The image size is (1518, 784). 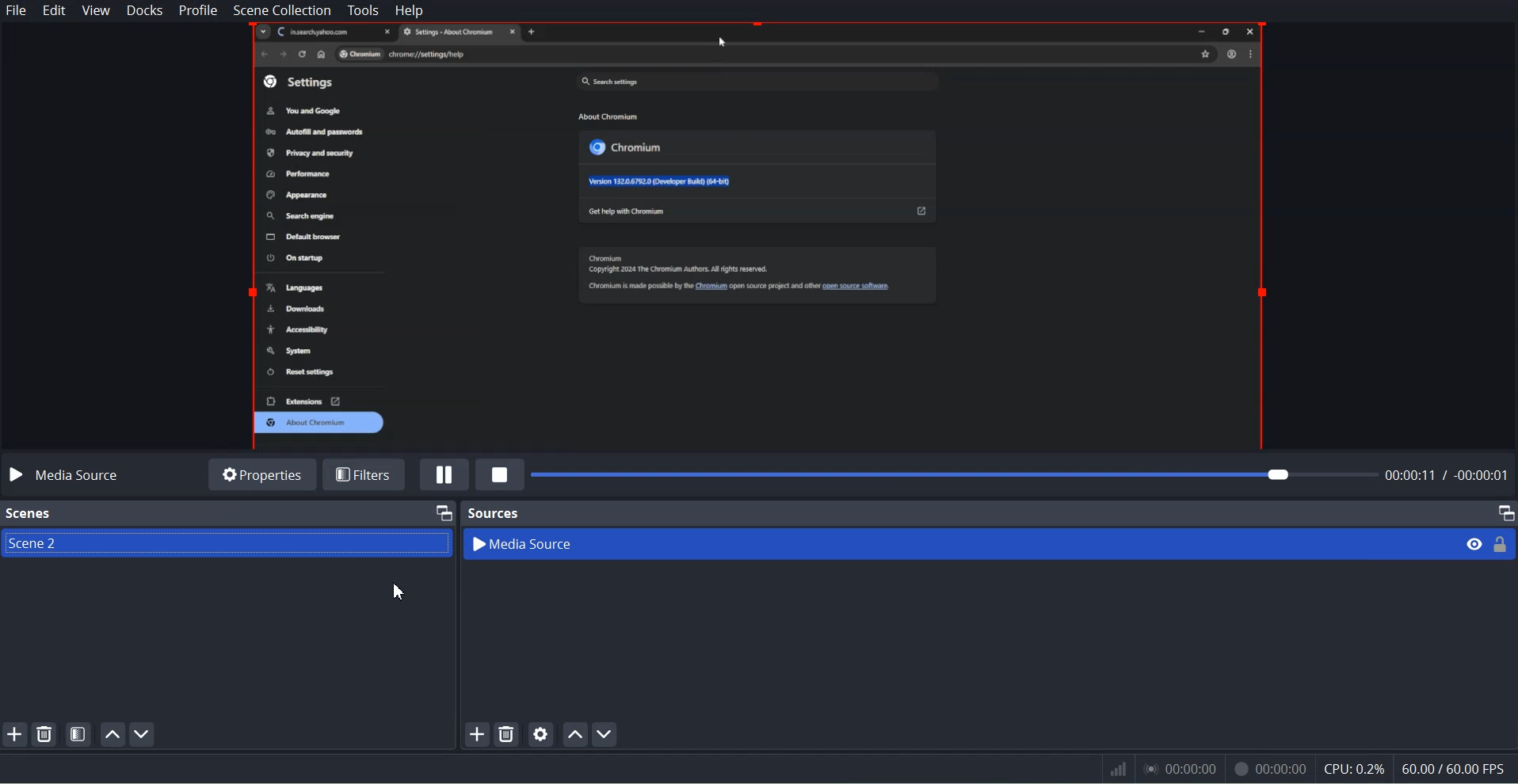 I want to click on eye, so click(x=1475, y=543).